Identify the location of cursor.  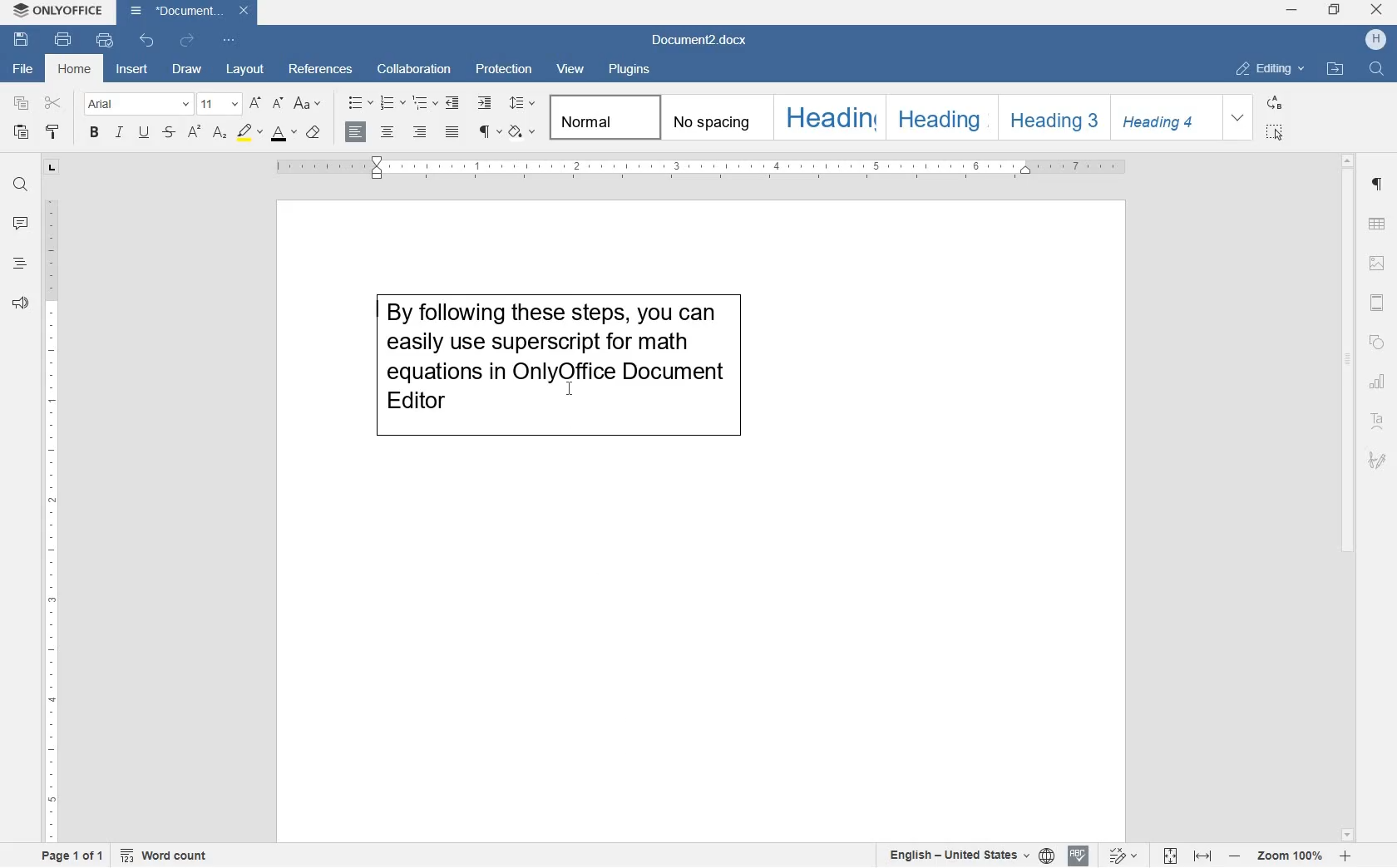
(570, 389).